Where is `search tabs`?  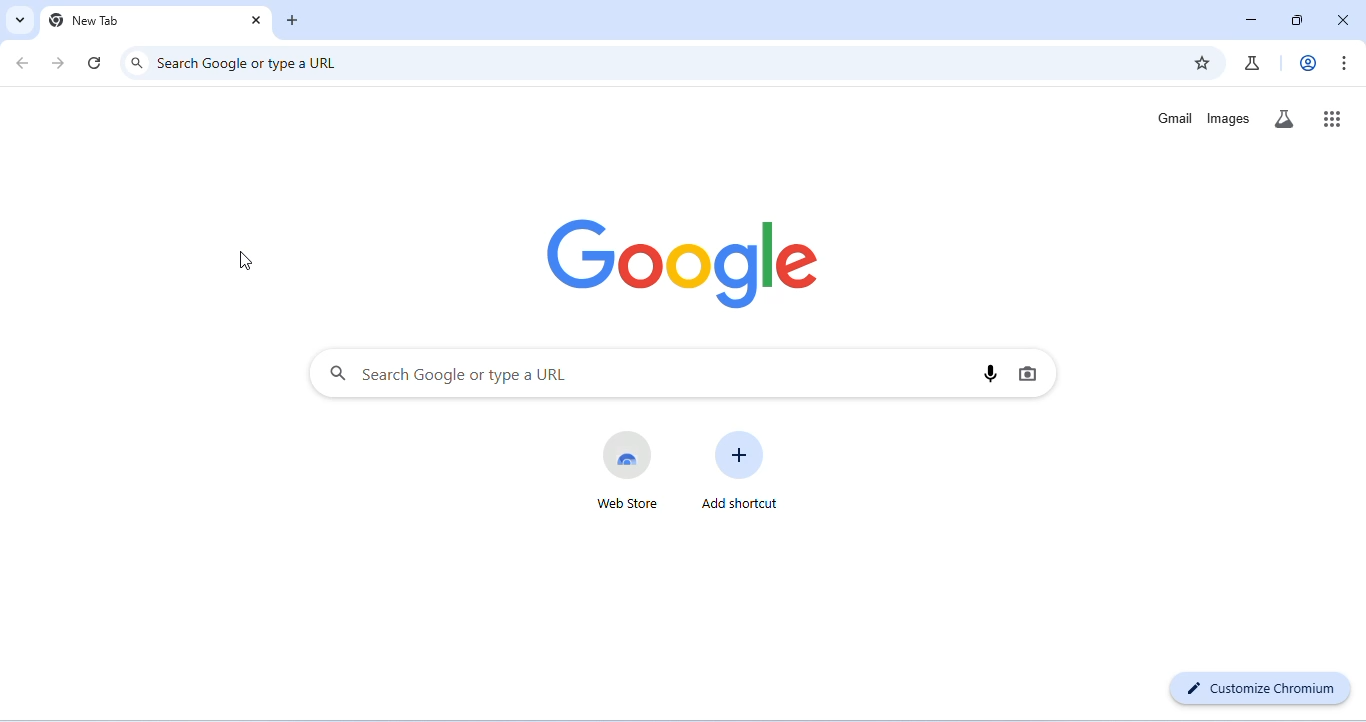
search tabs is located at coordinates (20, 20).